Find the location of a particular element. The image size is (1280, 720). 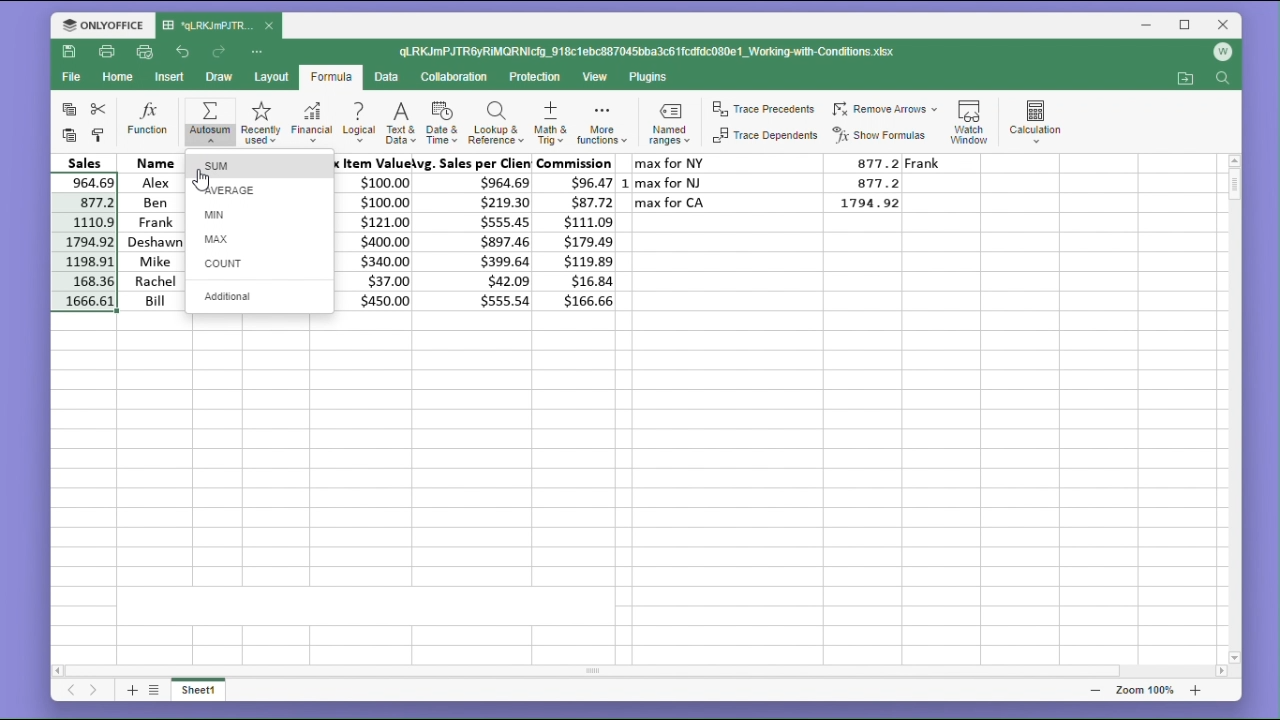

avg.sales per clients is located at coordinates (477, 235).